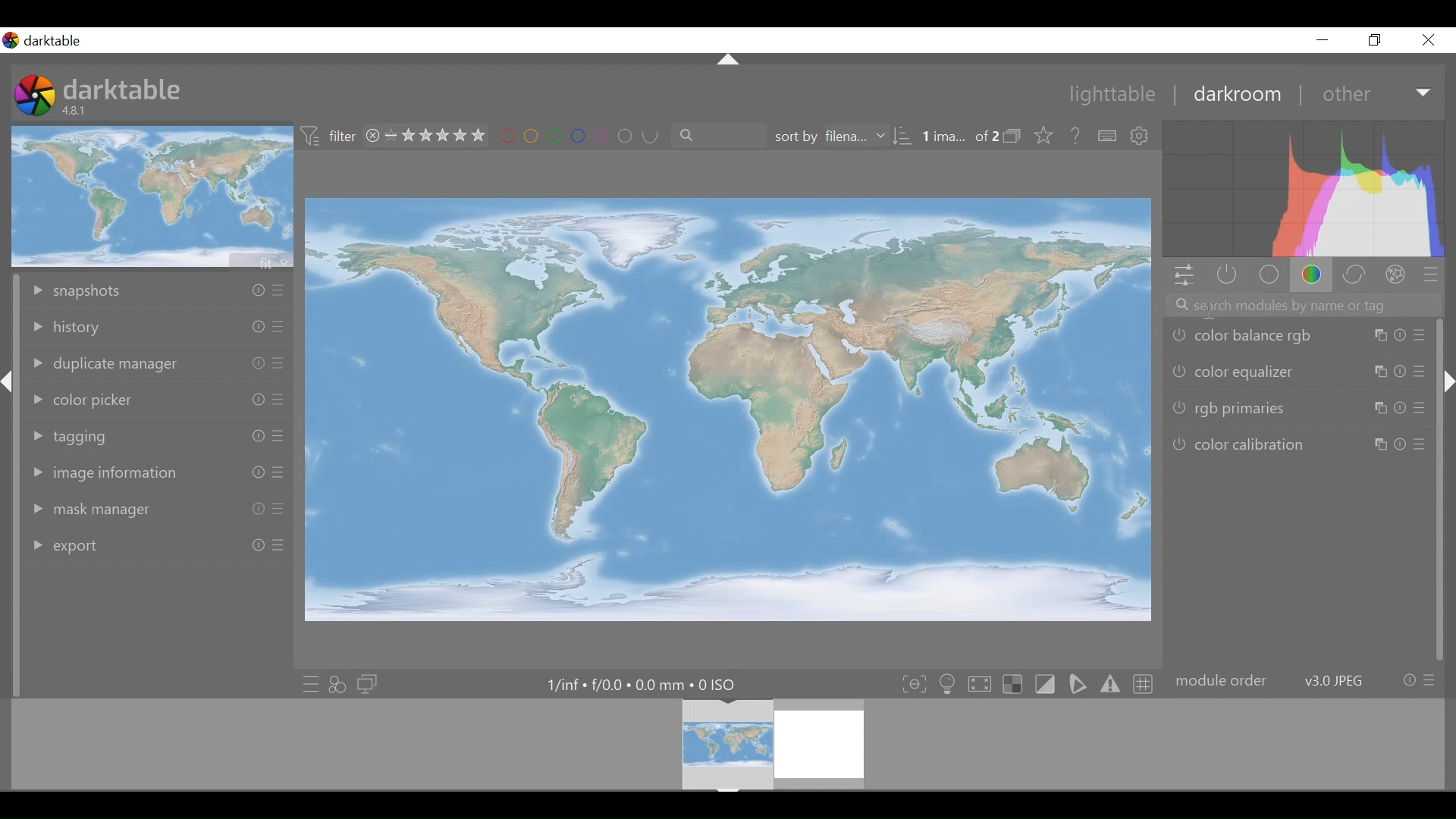 Image resolution: width=1456 pixels, height=819 pixels. I want to click on quick access panel, so click(1185, 276).